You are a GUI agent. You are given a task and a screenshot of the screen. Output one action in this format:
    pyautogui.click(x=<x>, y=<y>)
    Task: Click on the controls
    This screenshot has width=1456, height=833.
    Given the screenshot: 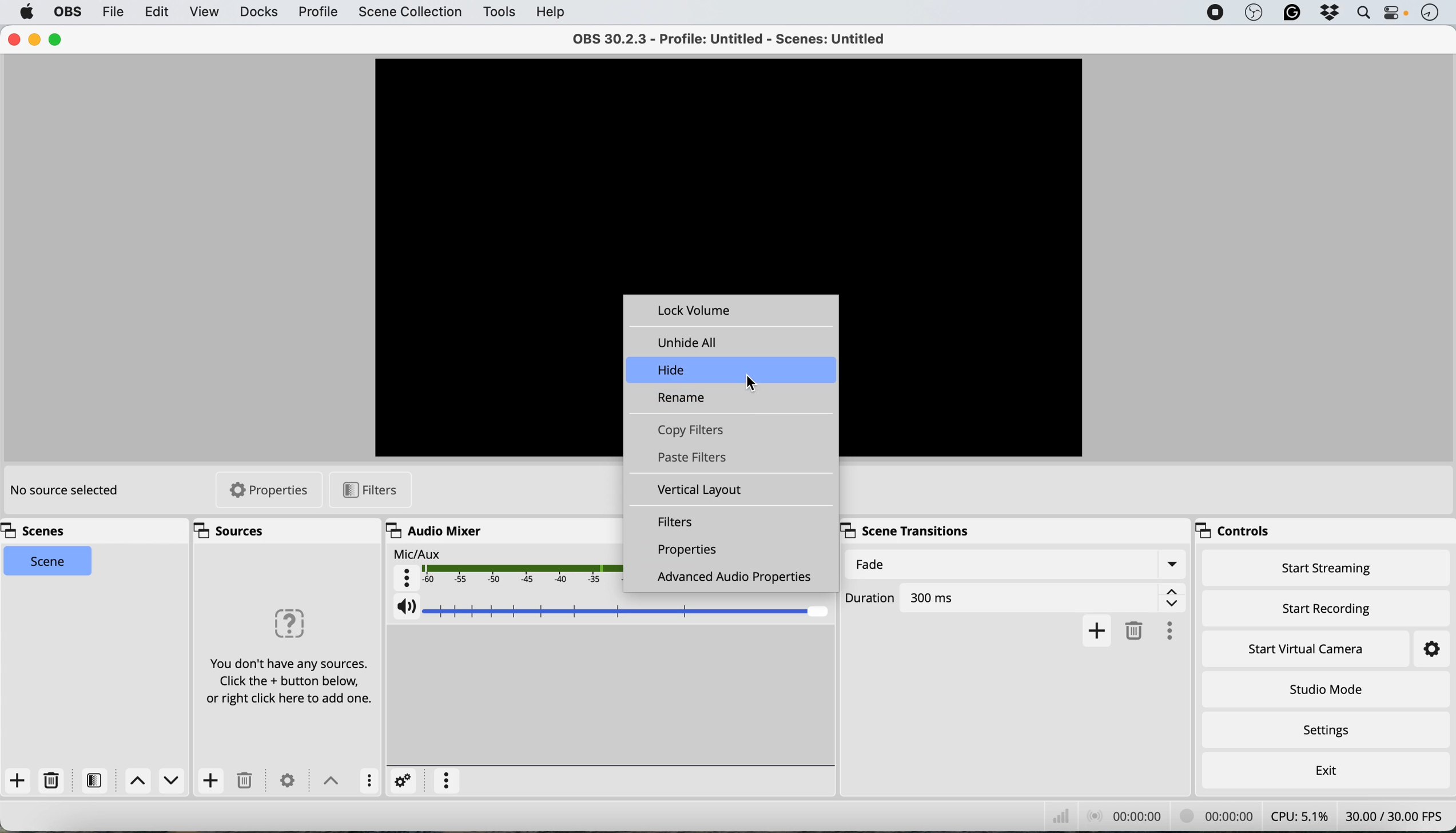 What is the action you would take?
    pyautogui.click(x=1235, y=532)
    